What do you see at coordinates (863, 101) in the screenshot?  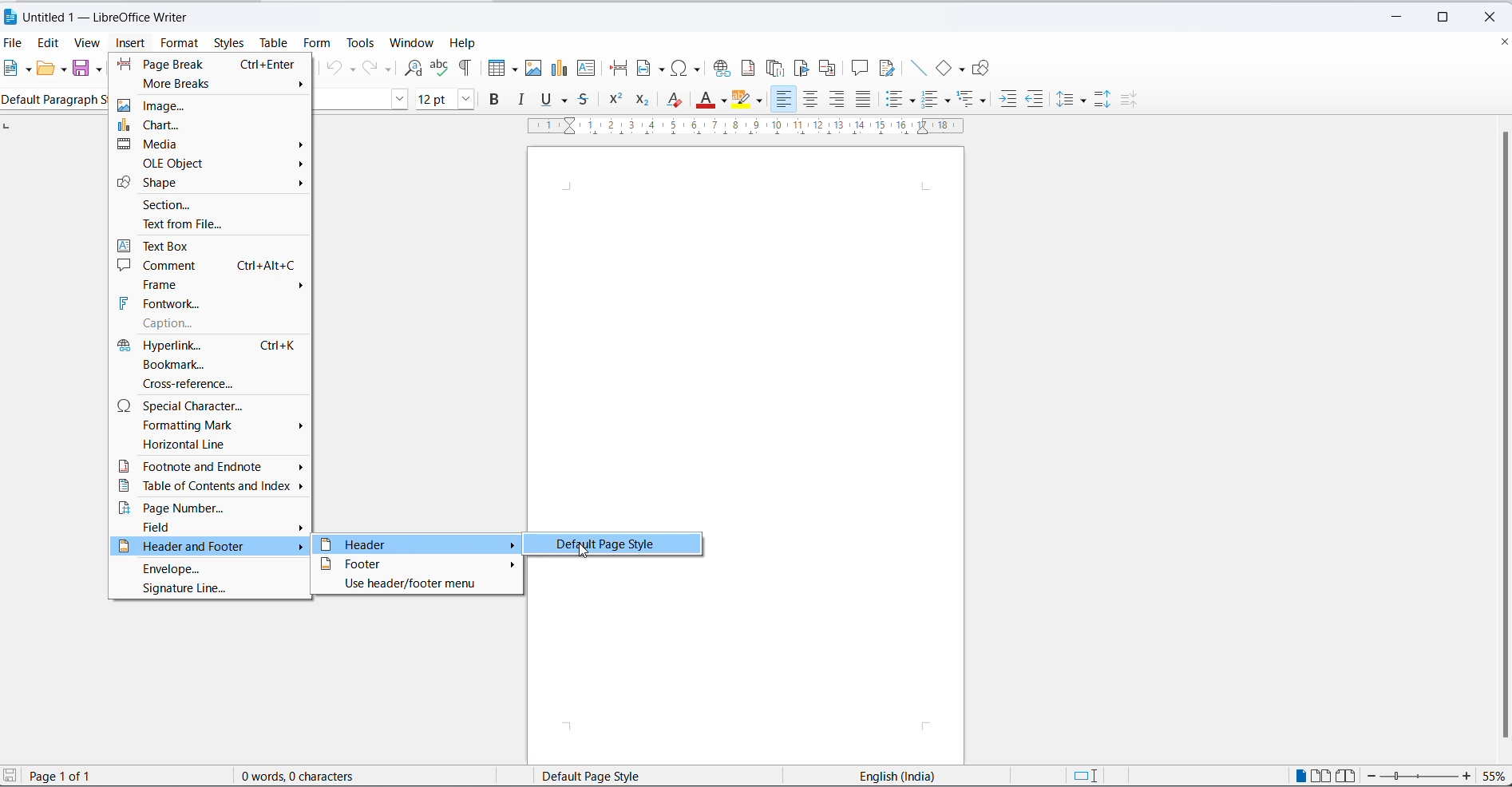 I see `justified` at bounding box center [863, 101].